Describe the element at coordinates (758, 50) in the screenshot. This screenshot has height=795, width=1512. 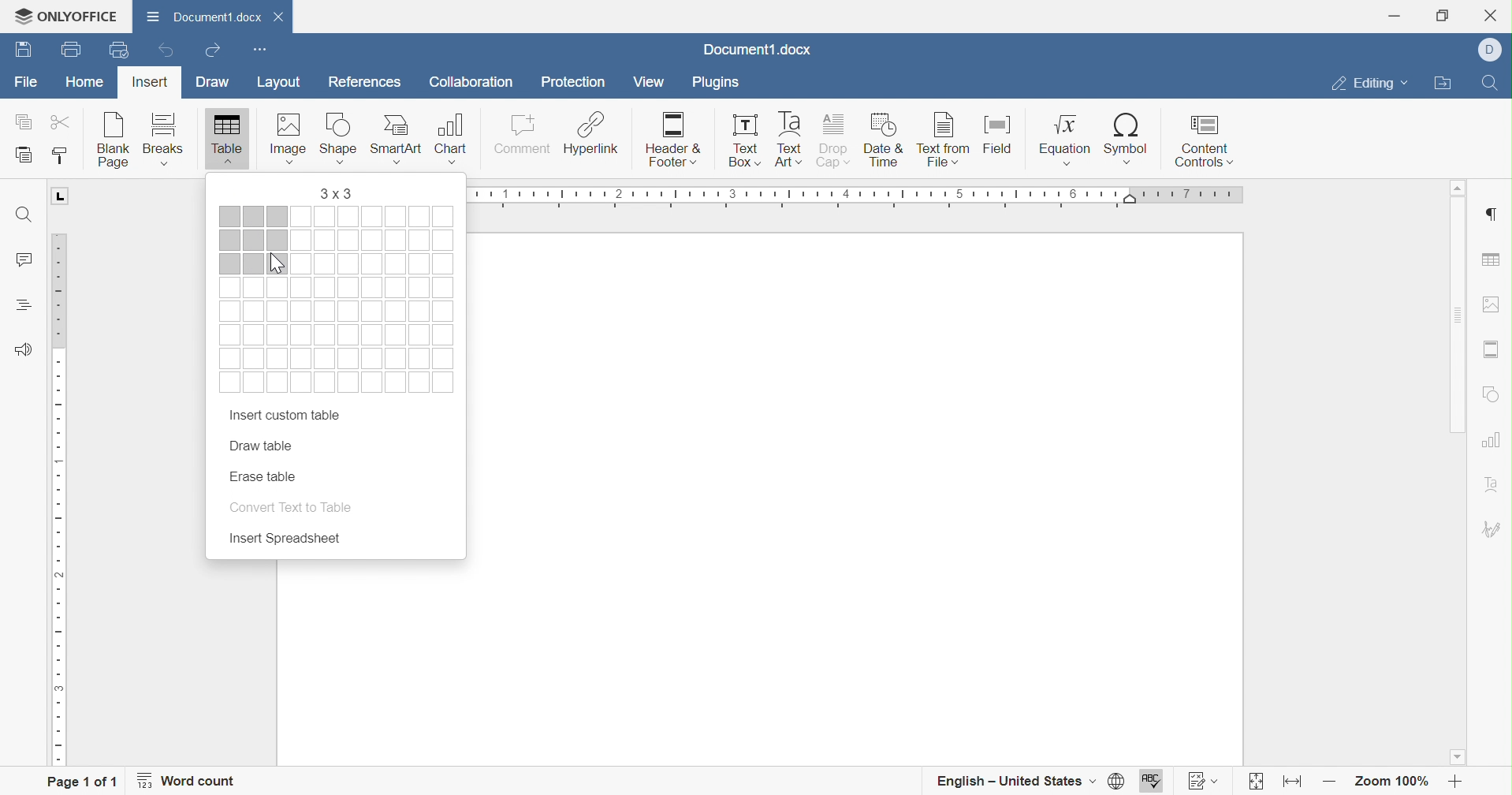
I see `Docuemnt1.docx` at that location.